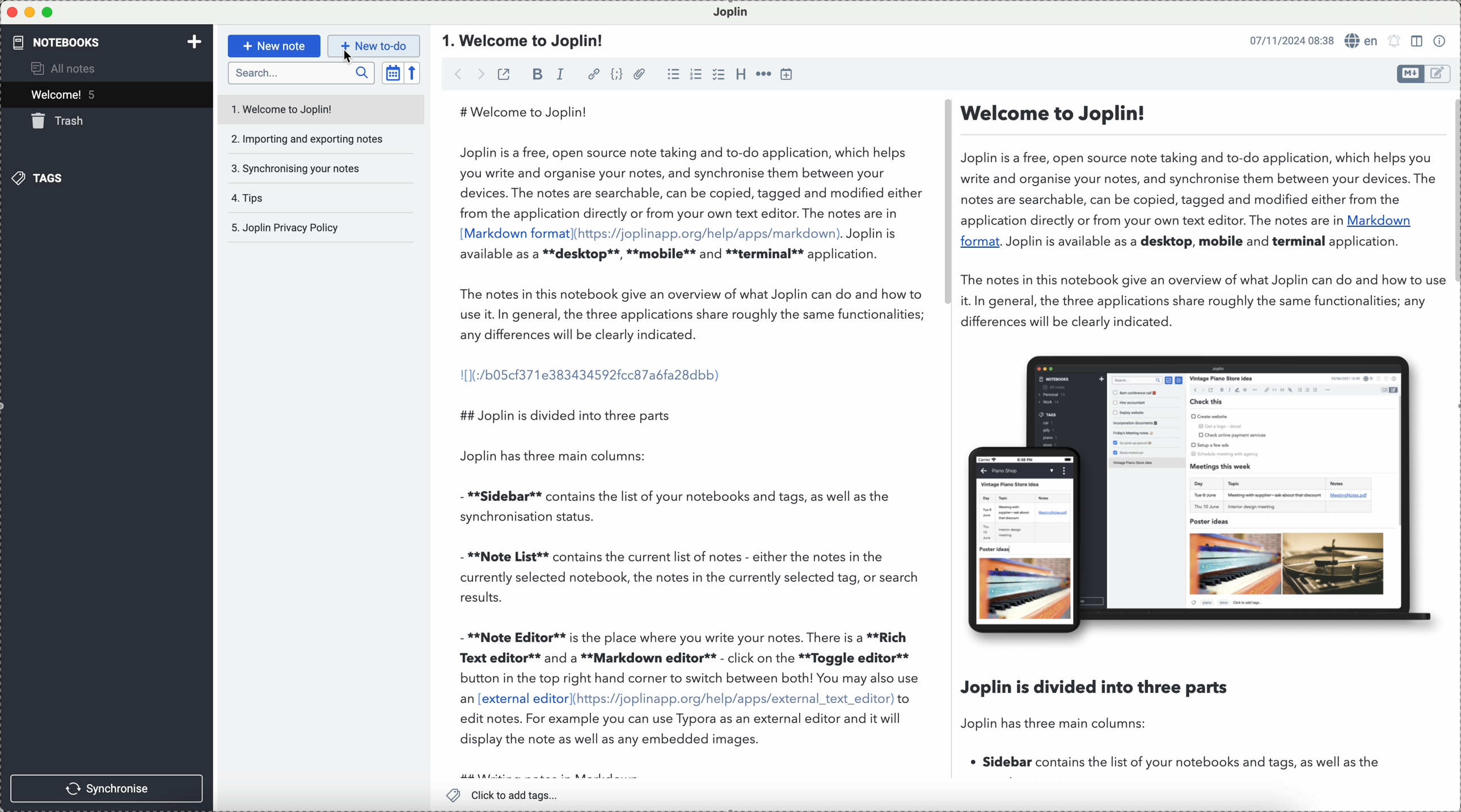  Describe the element at coordinates (696, 74) in the screenshot. I see `numbered list` at that location.